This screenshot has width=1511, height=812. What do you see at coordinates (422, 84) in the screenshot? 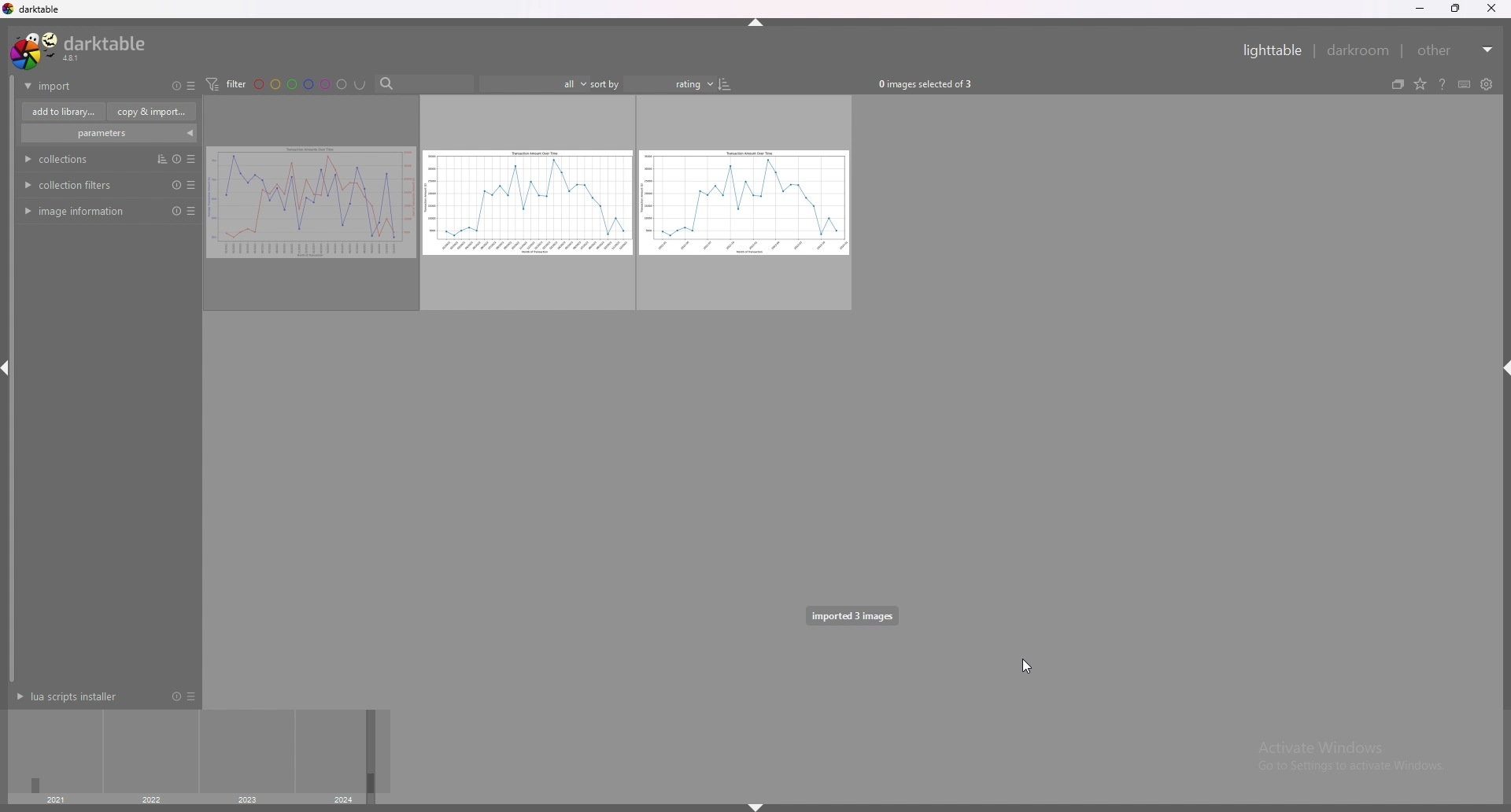
I see `search bar` at bounding box center [422, 84].